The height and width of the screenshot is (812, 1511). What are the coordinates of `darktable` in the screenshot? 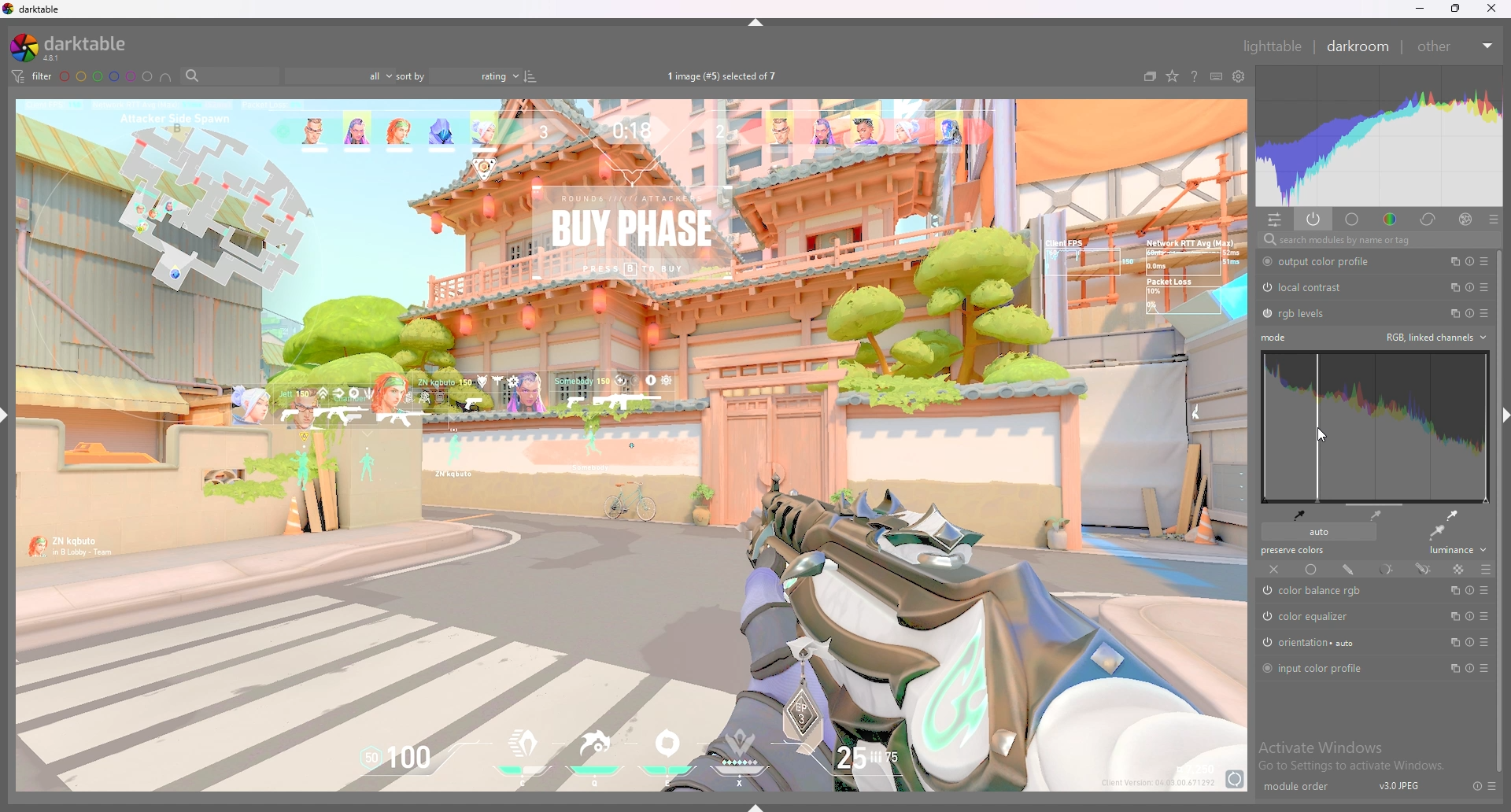 It's located at (69, 47).